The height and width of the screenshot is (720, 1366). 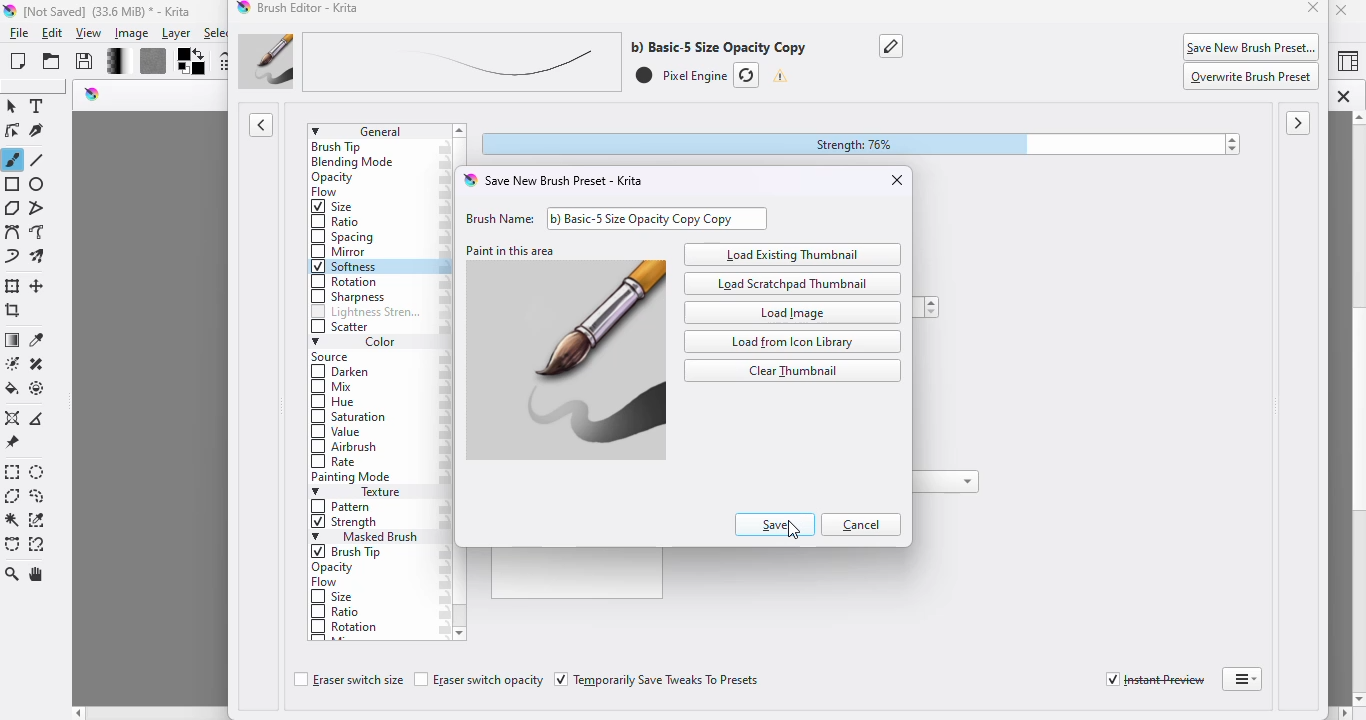 I want to click on load from icon library, so click(x=792, y=343).